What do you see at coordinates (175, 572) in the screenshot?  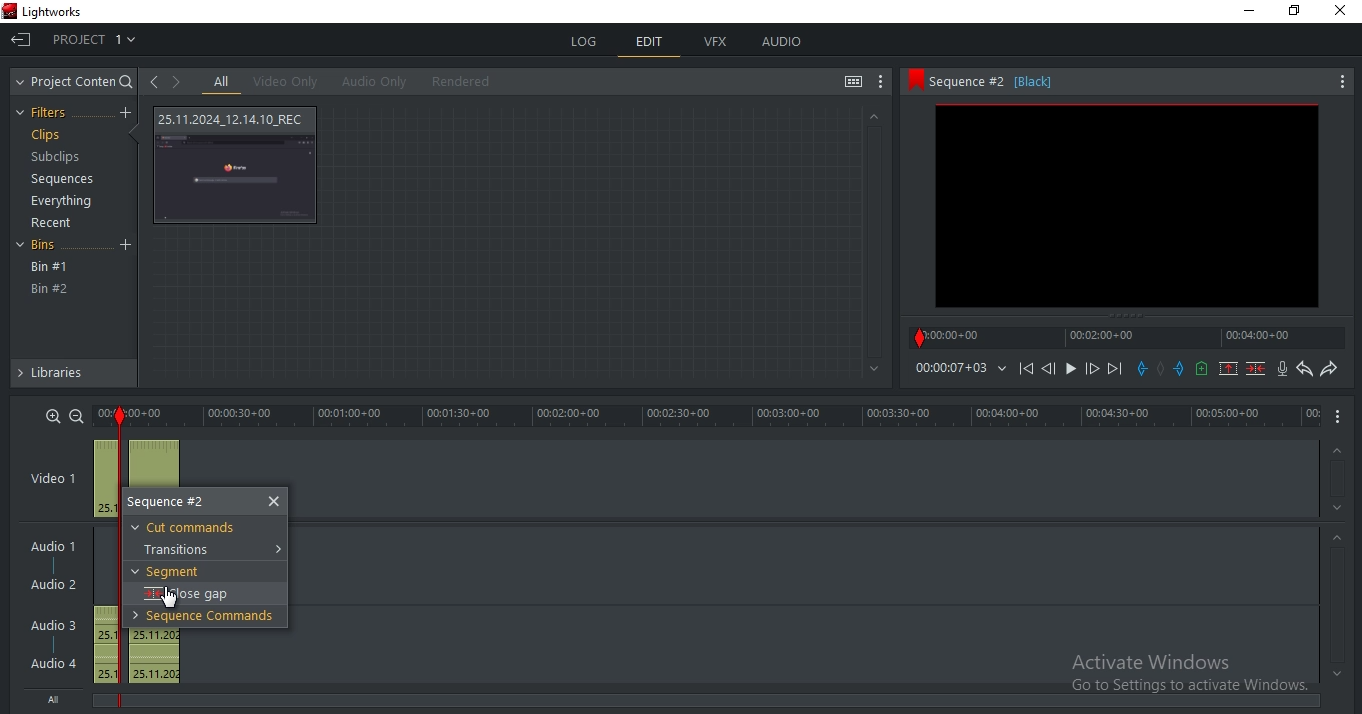 I see `segment` at bounding box center [175, 572].